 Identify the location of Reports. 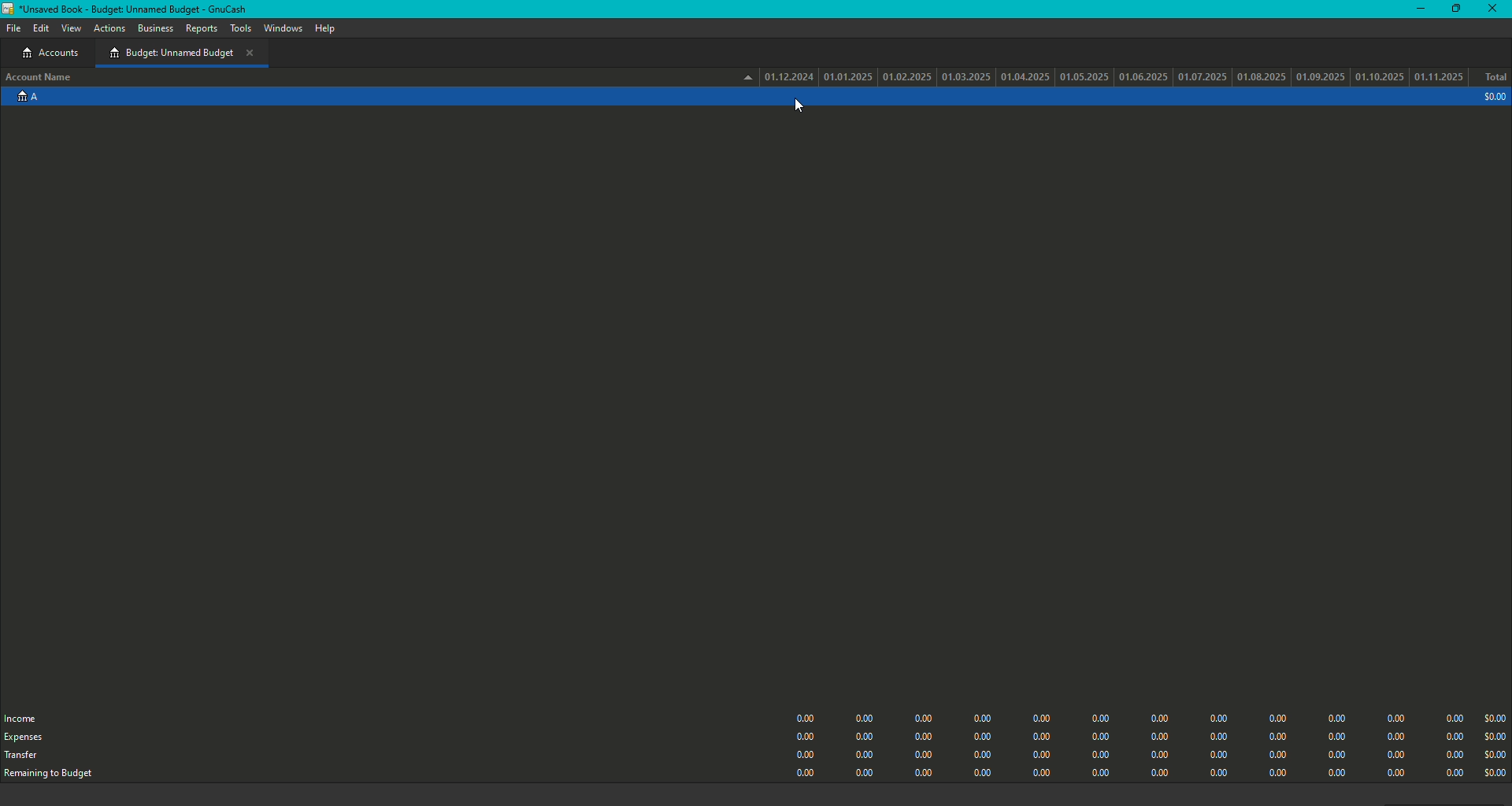
(201, 31).